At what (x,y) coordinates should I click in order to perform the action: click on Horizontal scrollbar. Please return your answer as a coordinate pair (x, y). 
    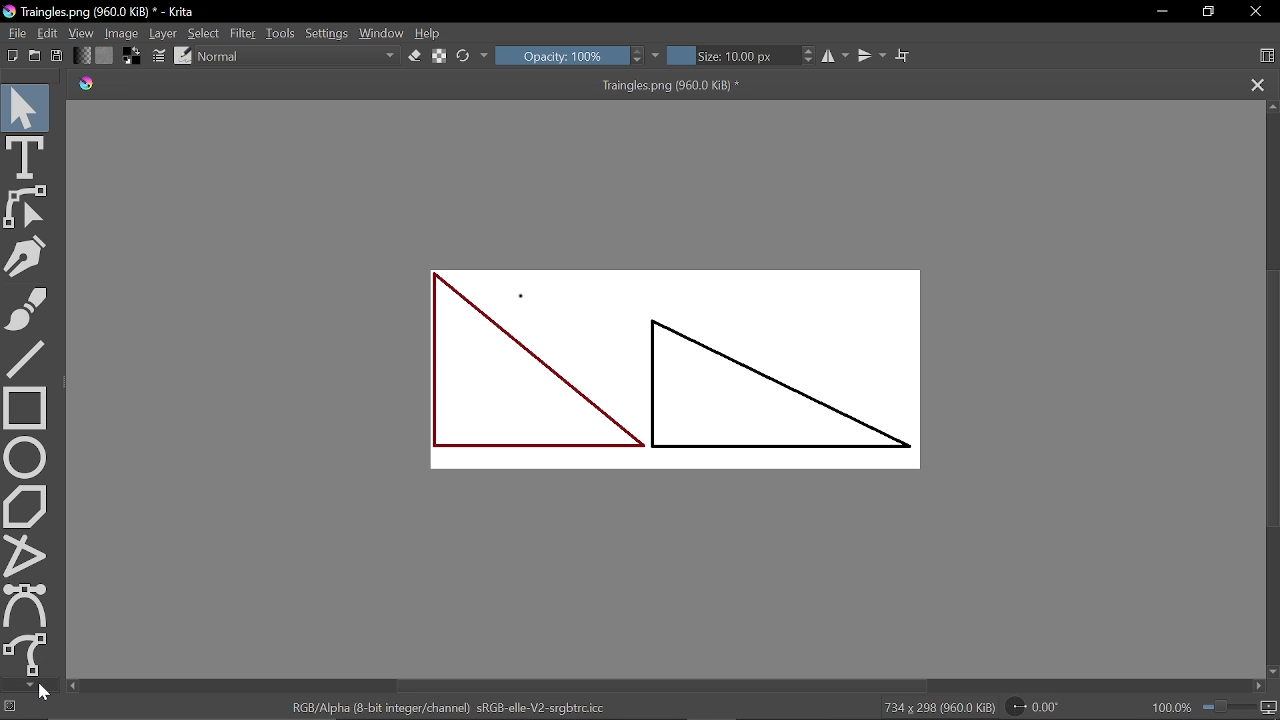
    Looking at the image, I should click on (663, 686).